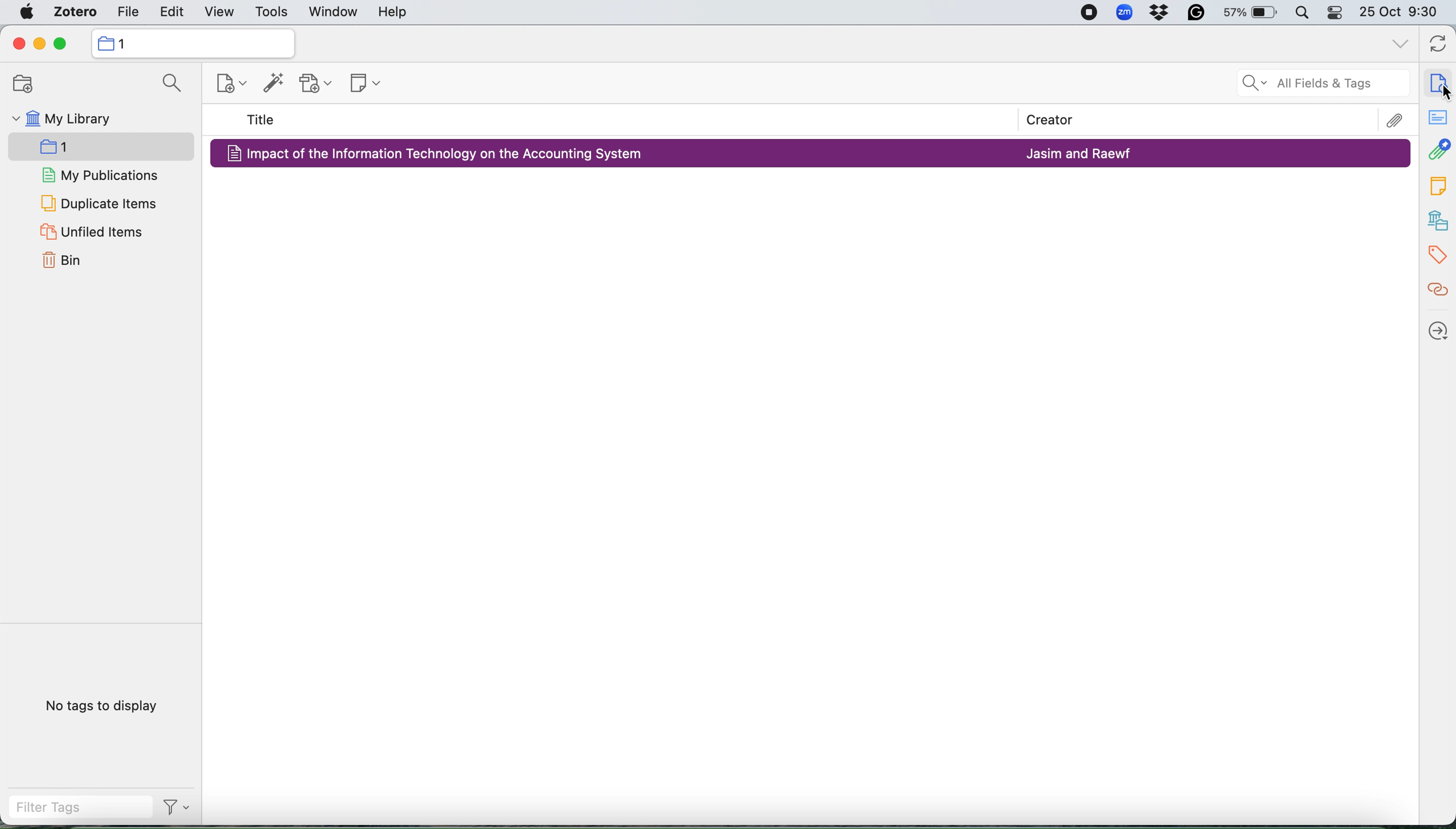 Image resolution: width=1456 pixels, height=829 pixels. What do you see at coordinates (170, 84) in the screenshot?
I see `searcg` at bounding box center [170, 84].